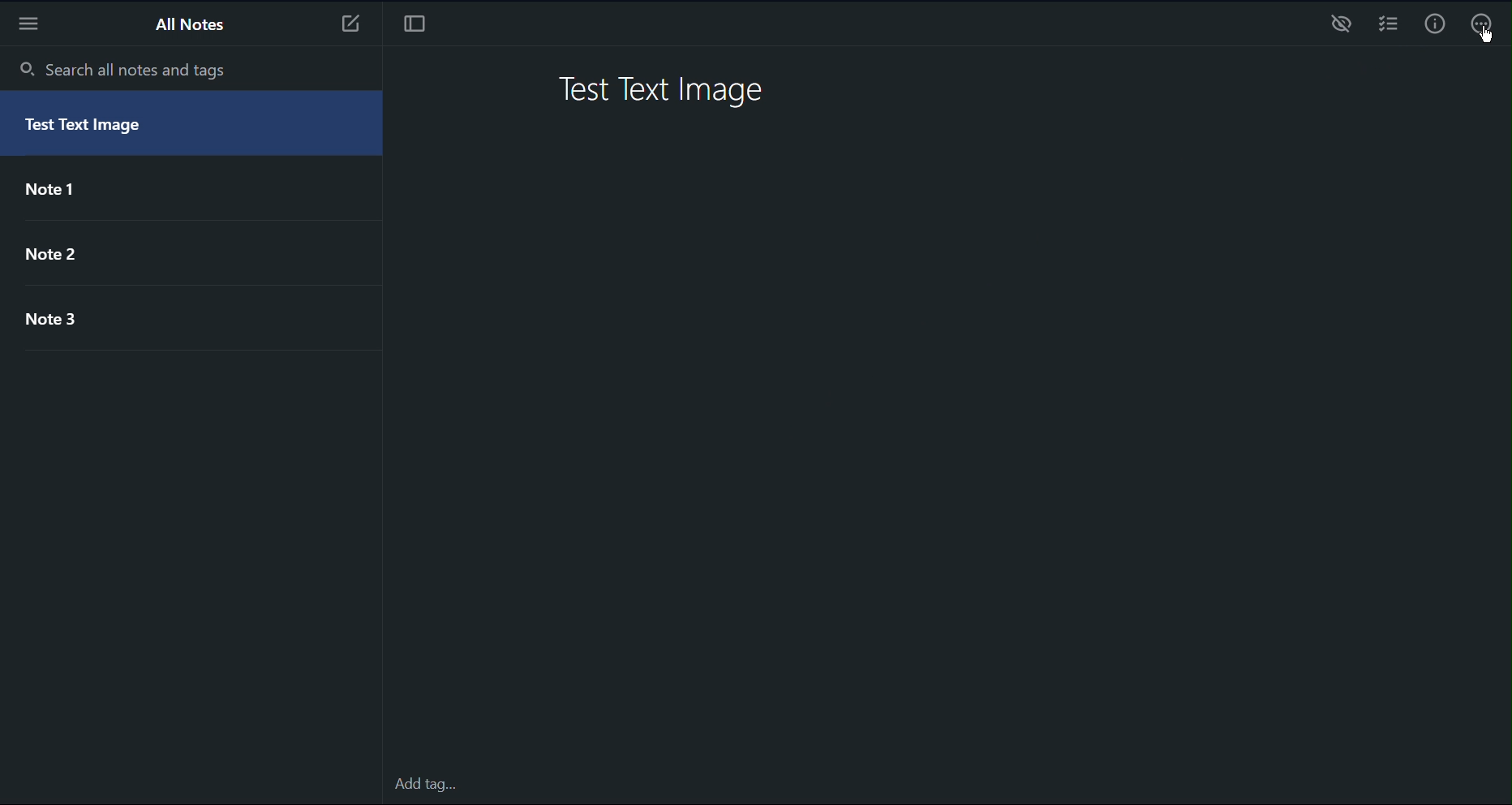 This screenshot has width=1512, height=805. I want to click on Note 1, so click(73, 191).